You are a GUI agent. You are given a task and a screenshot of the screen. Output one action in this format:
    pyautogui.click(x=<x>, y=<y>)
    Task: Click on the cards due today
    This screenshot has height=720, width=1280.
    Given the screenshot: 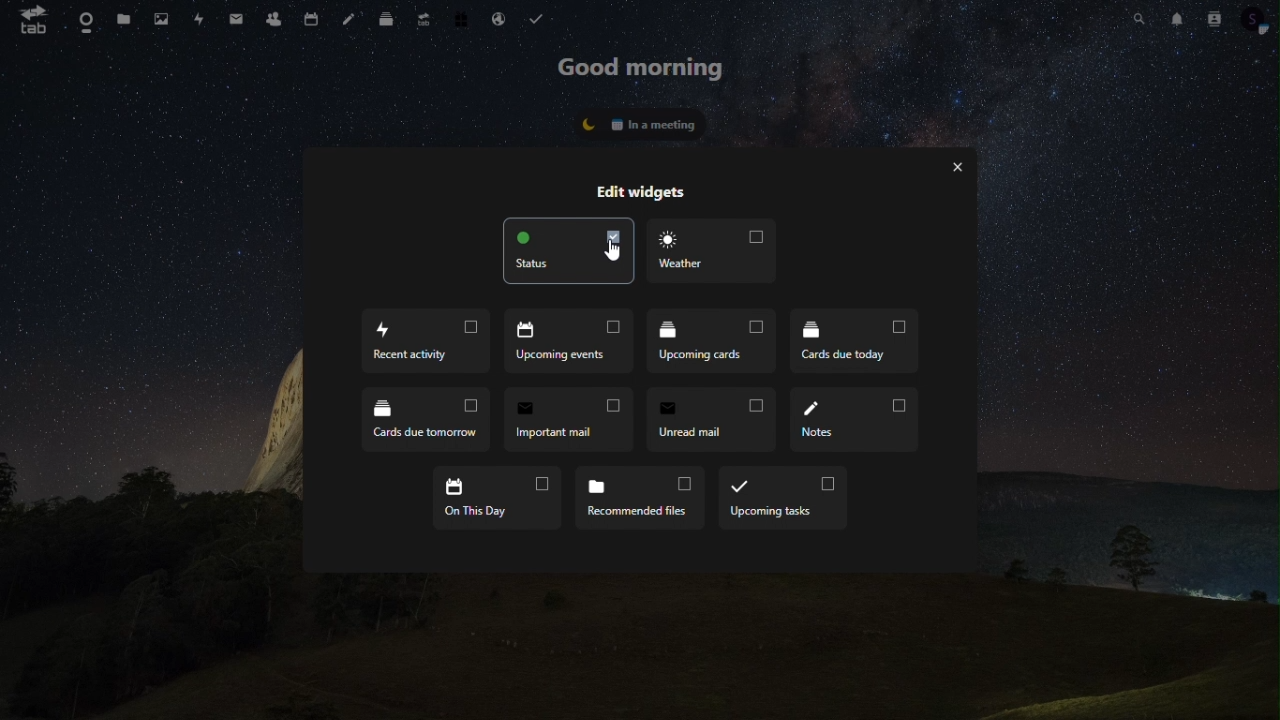 What is the action you would take?
    pyautogui.click(x=858, y=344)
    